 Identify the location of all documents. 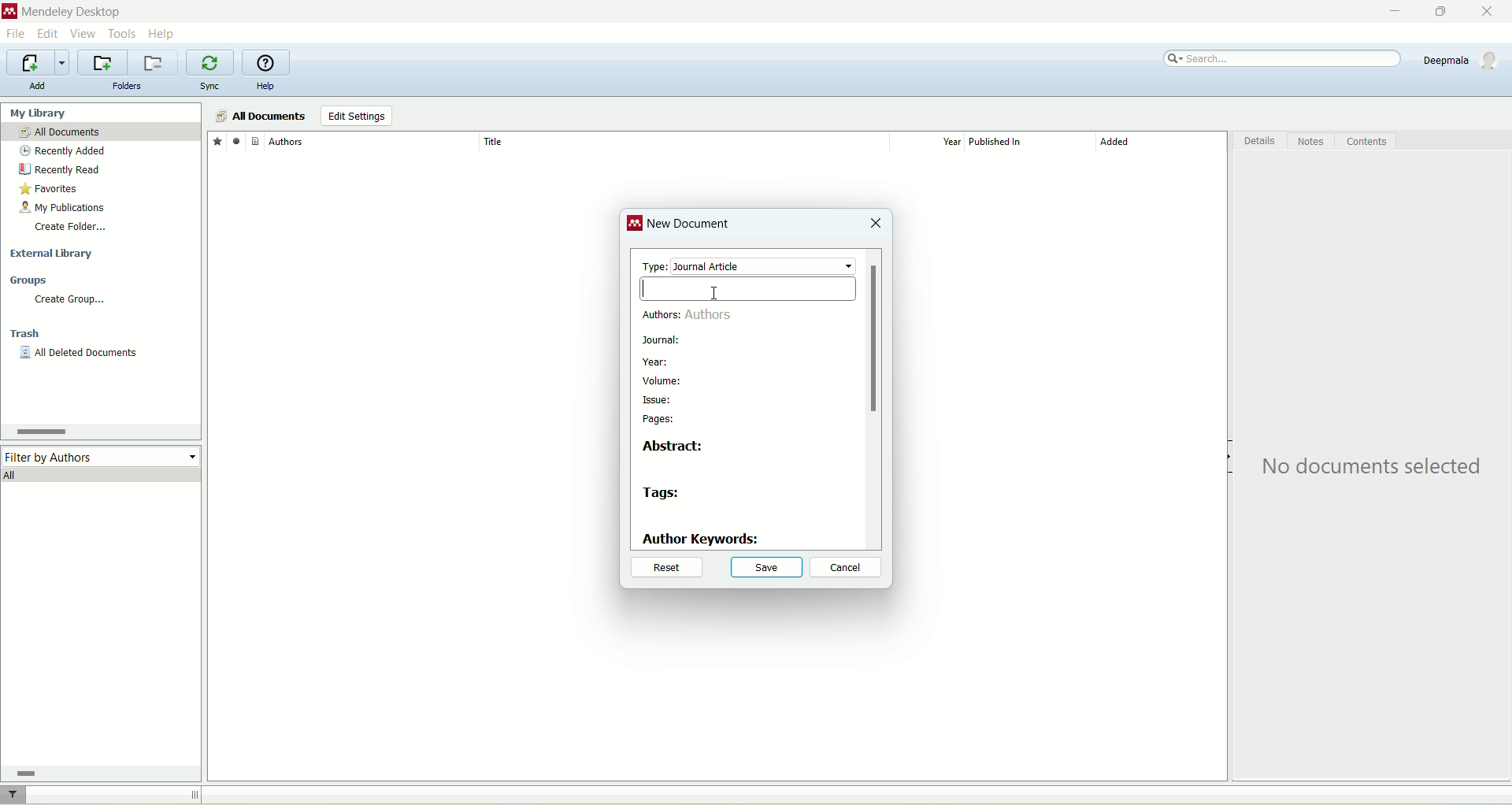
(101, 132).